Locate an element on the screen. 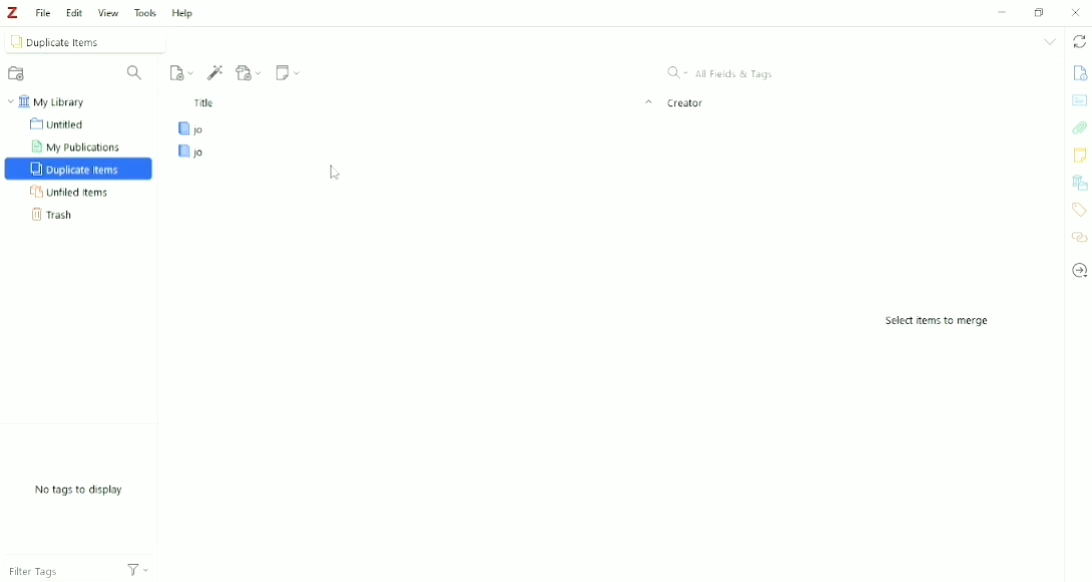 The image size is (1092, 582). Libraries and Collections is located at coordinates (1080, 181).